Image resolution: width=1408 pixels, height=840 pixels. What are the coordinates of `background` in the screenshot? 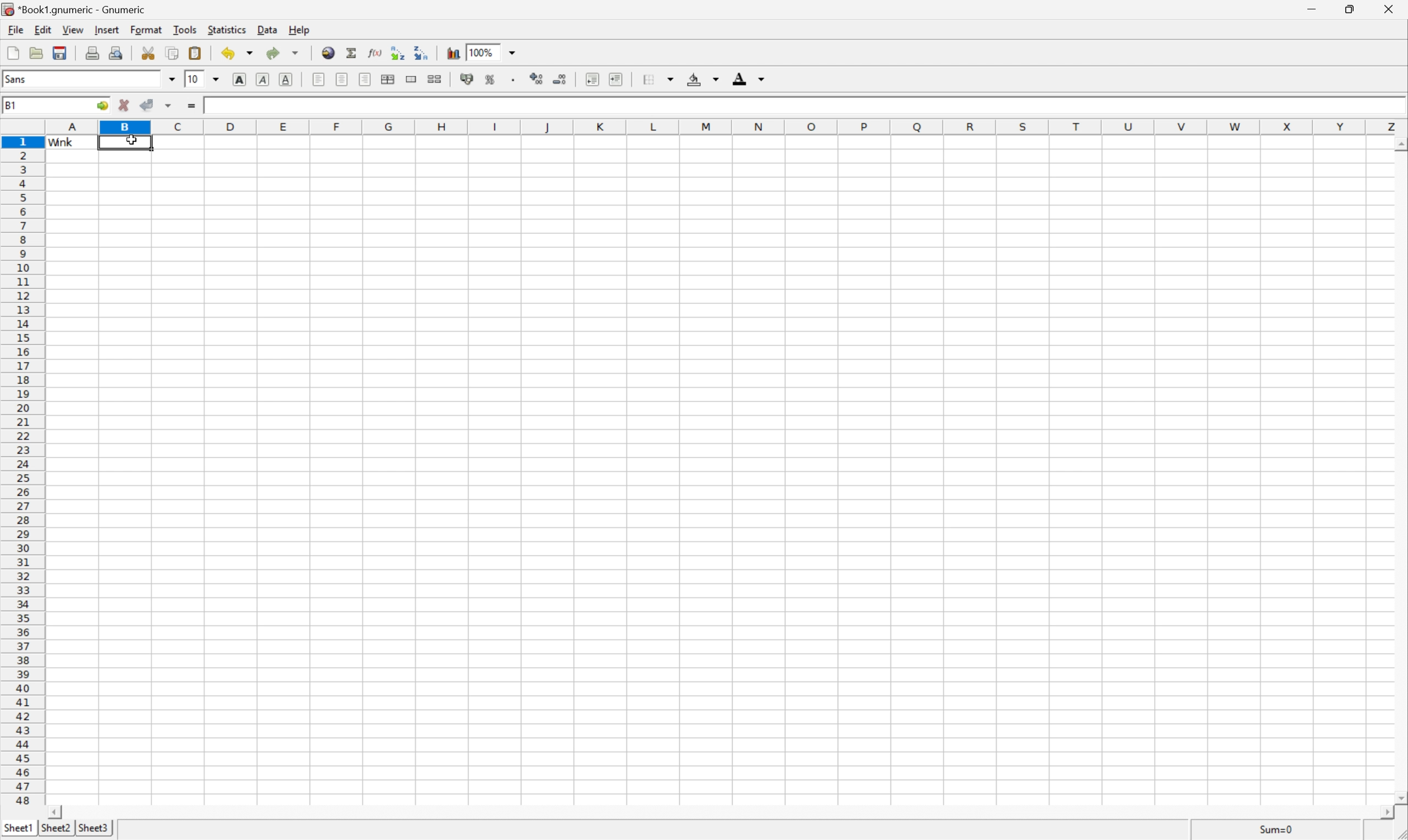 It's located at (703, 77).